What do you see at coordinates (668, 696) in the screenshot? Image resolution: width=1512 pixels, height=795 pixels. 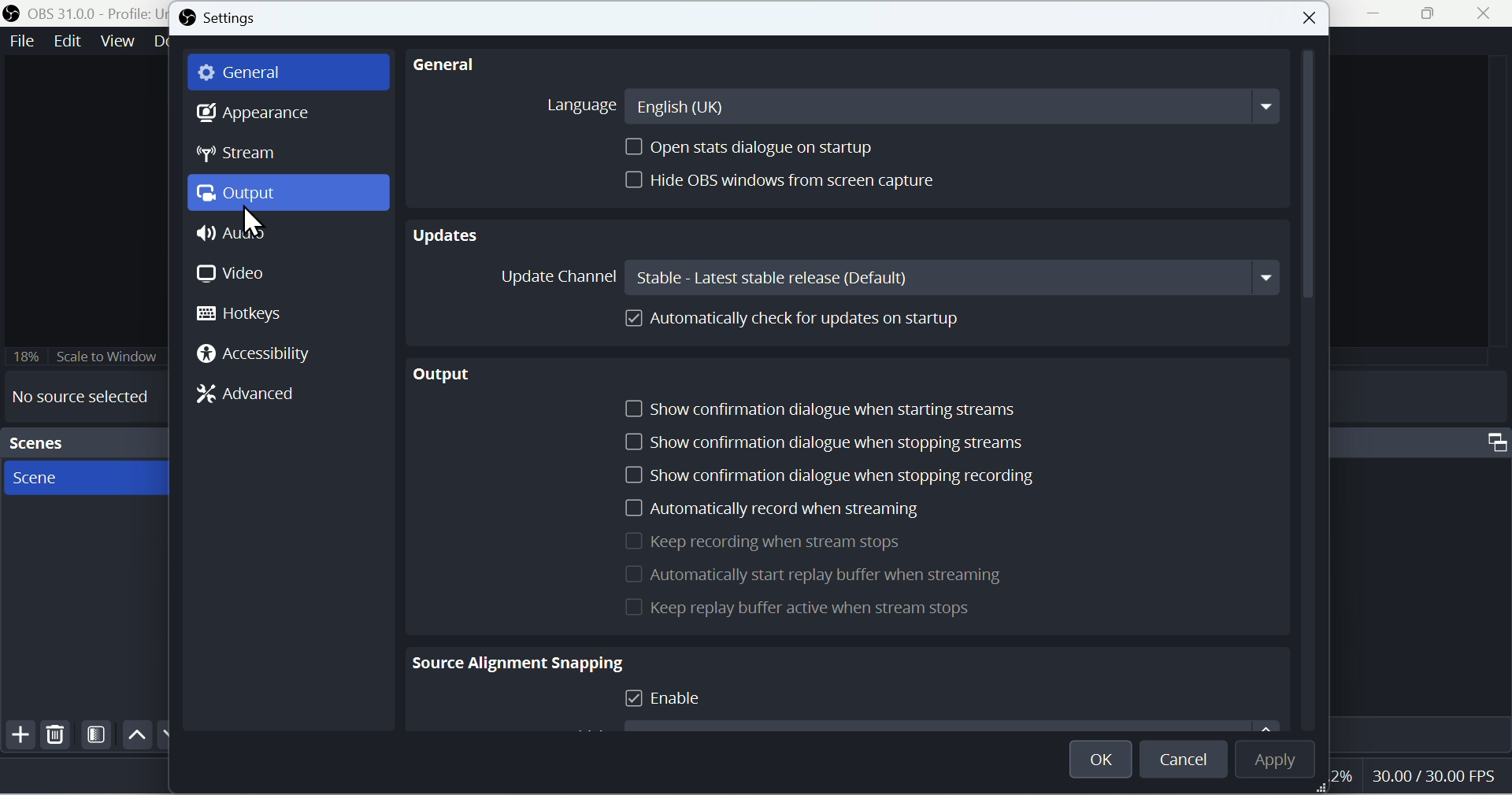 I see `| Enable` at bounding box center [668, 696].